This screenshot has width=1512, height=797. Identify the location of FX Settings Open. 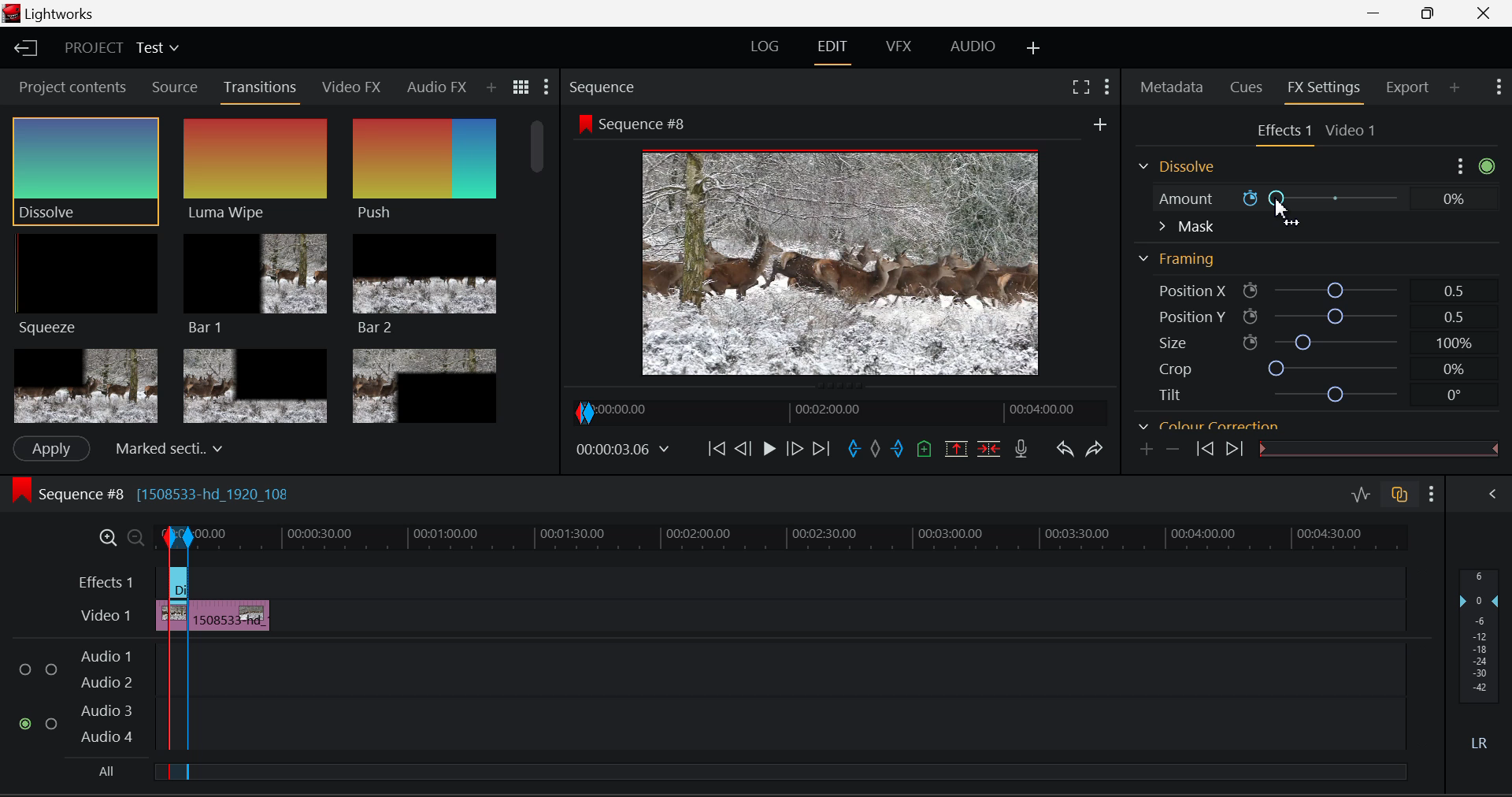
(1327, 89).